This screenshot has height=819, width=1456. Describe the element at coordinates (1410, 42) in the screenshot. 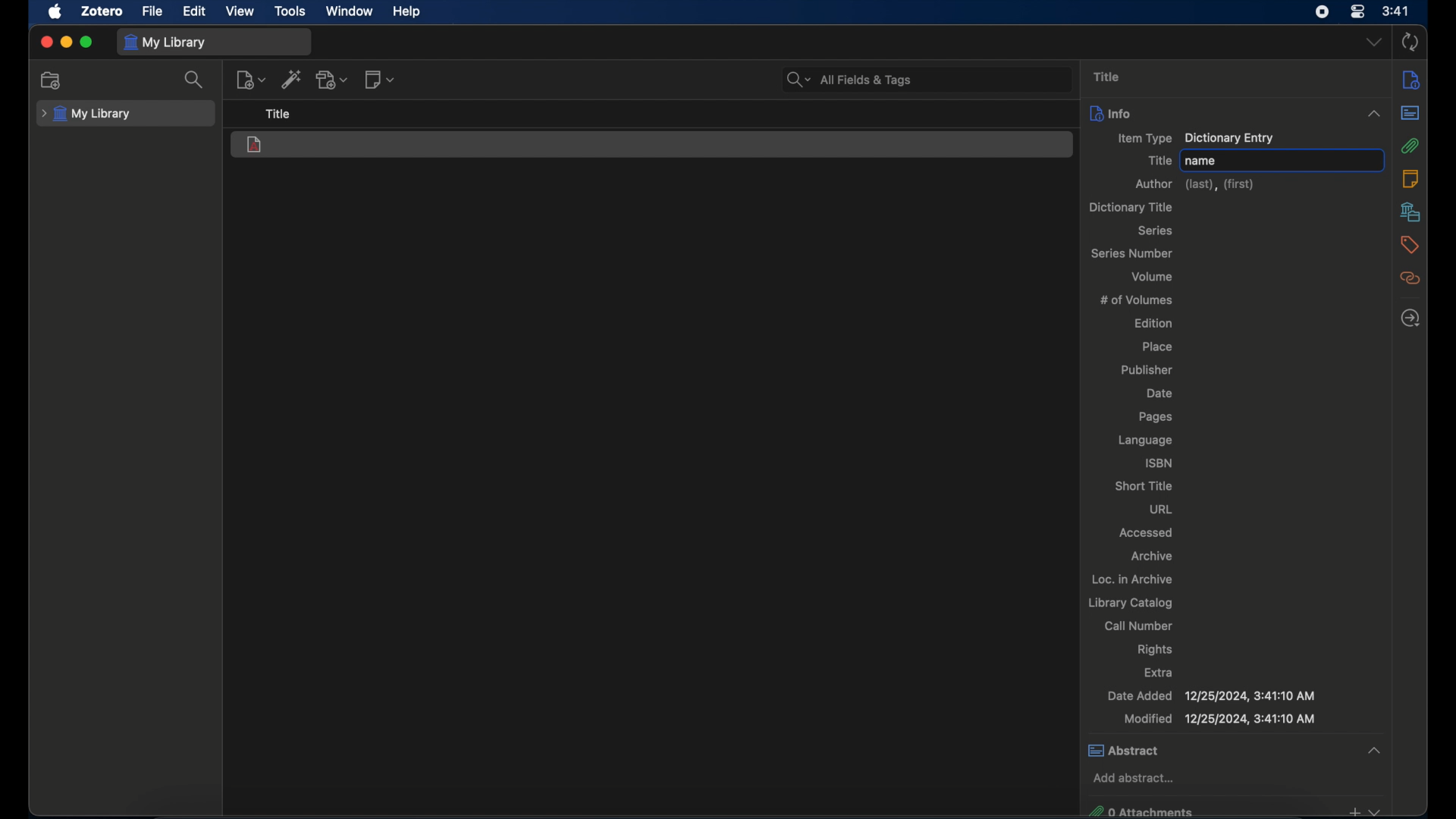

I see `sync` at that location.